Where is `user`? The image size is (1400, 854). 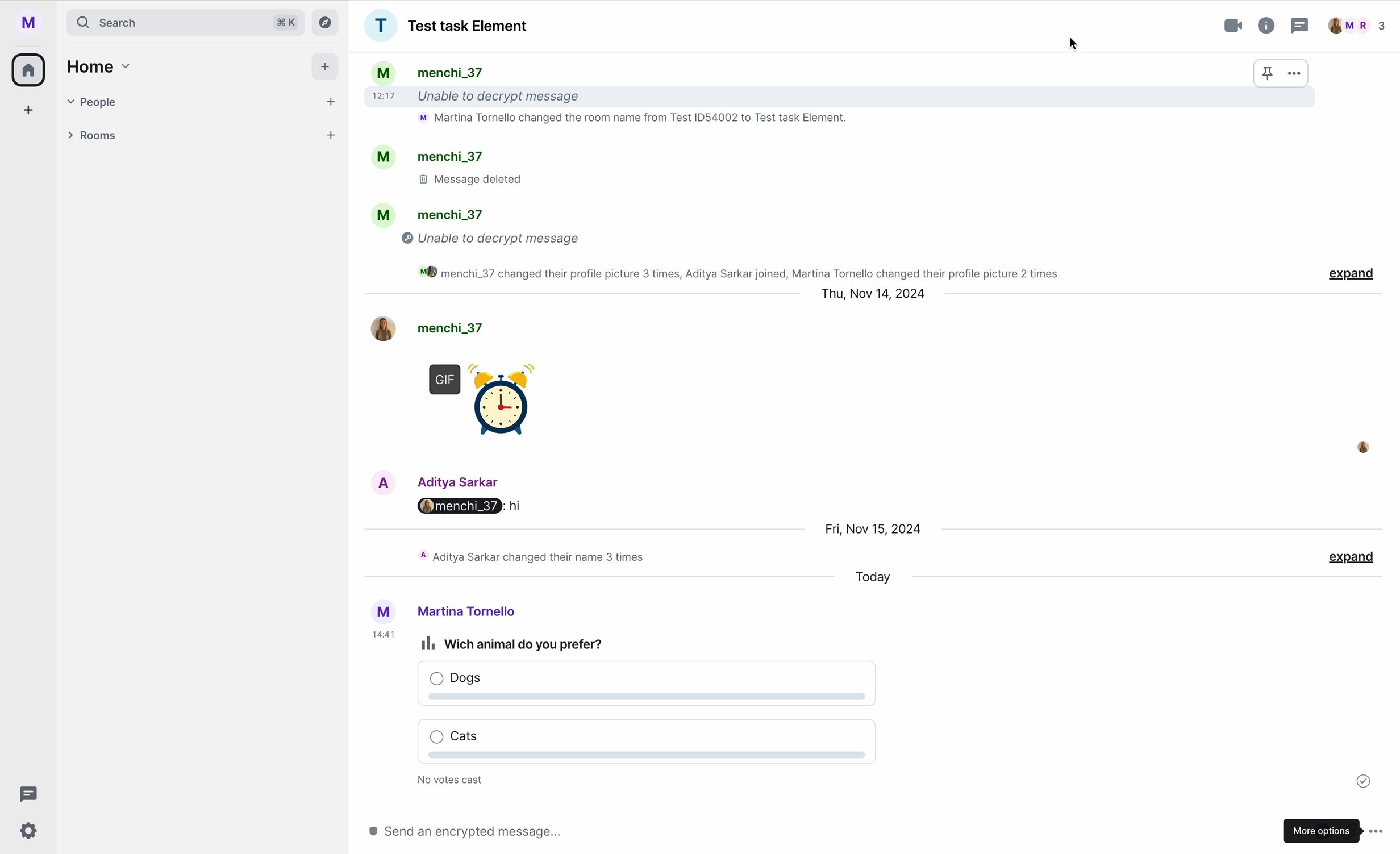
user is located at coordinates (440, 611).